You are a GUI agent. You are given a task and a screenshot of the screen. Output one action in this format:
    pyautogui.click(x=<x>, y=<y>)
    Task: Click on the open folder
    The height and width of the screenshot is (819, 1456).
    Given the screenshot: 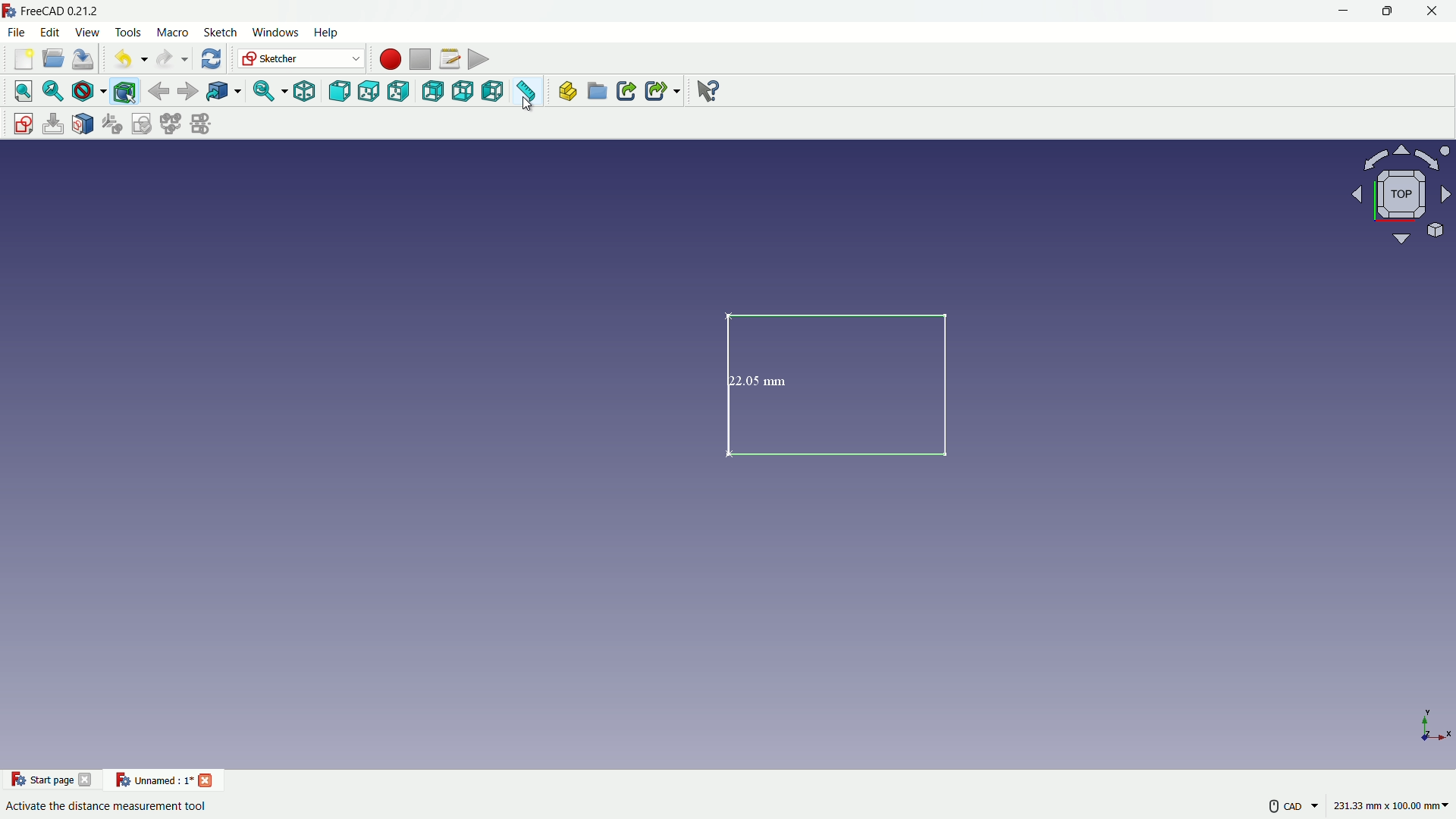 What is the action you would take?
    pyautogui.click(x=52, y=60)
    